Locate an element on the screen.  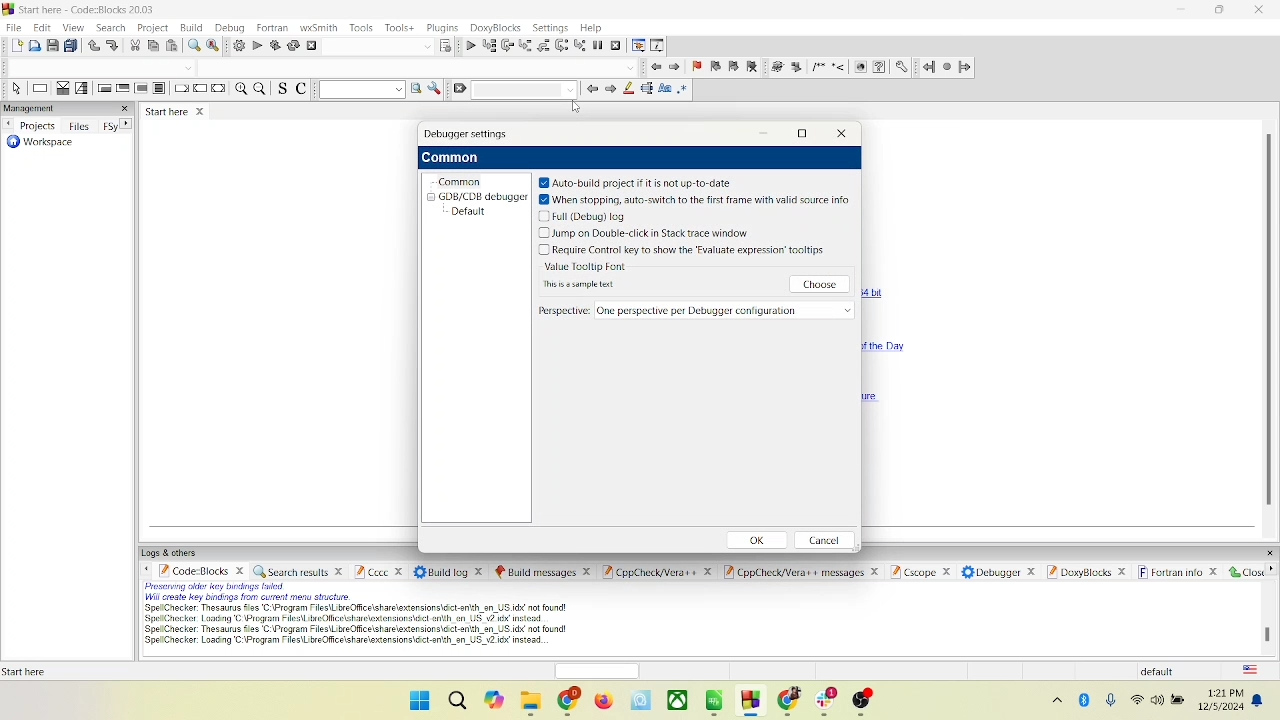
language is located at coordinates (1248, 669).